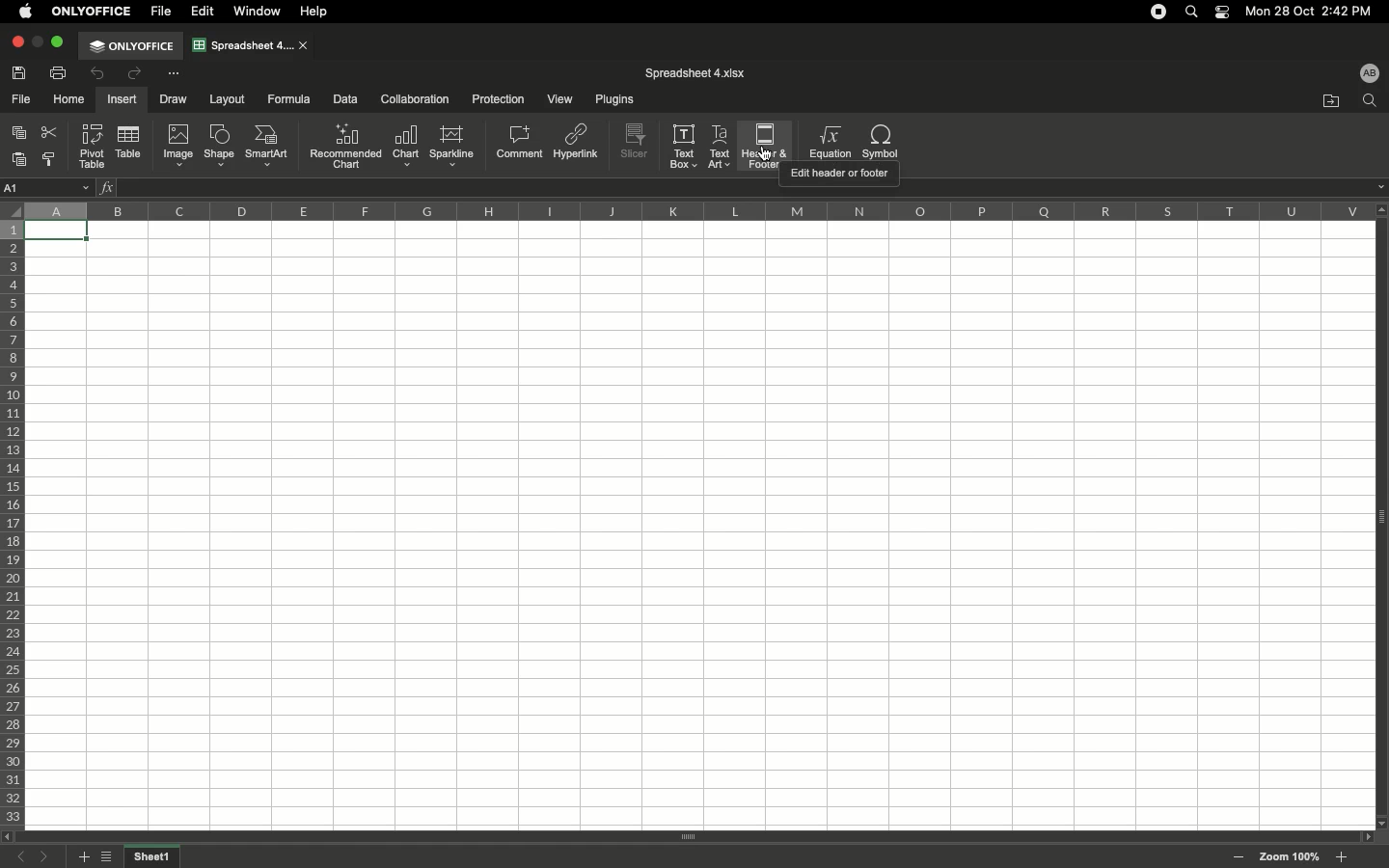 Image resolution: width=1389 pixels, height=868 pixels. Describe the element at coordinates (721, 145) in the screenshot. I see `Text art` at that location.